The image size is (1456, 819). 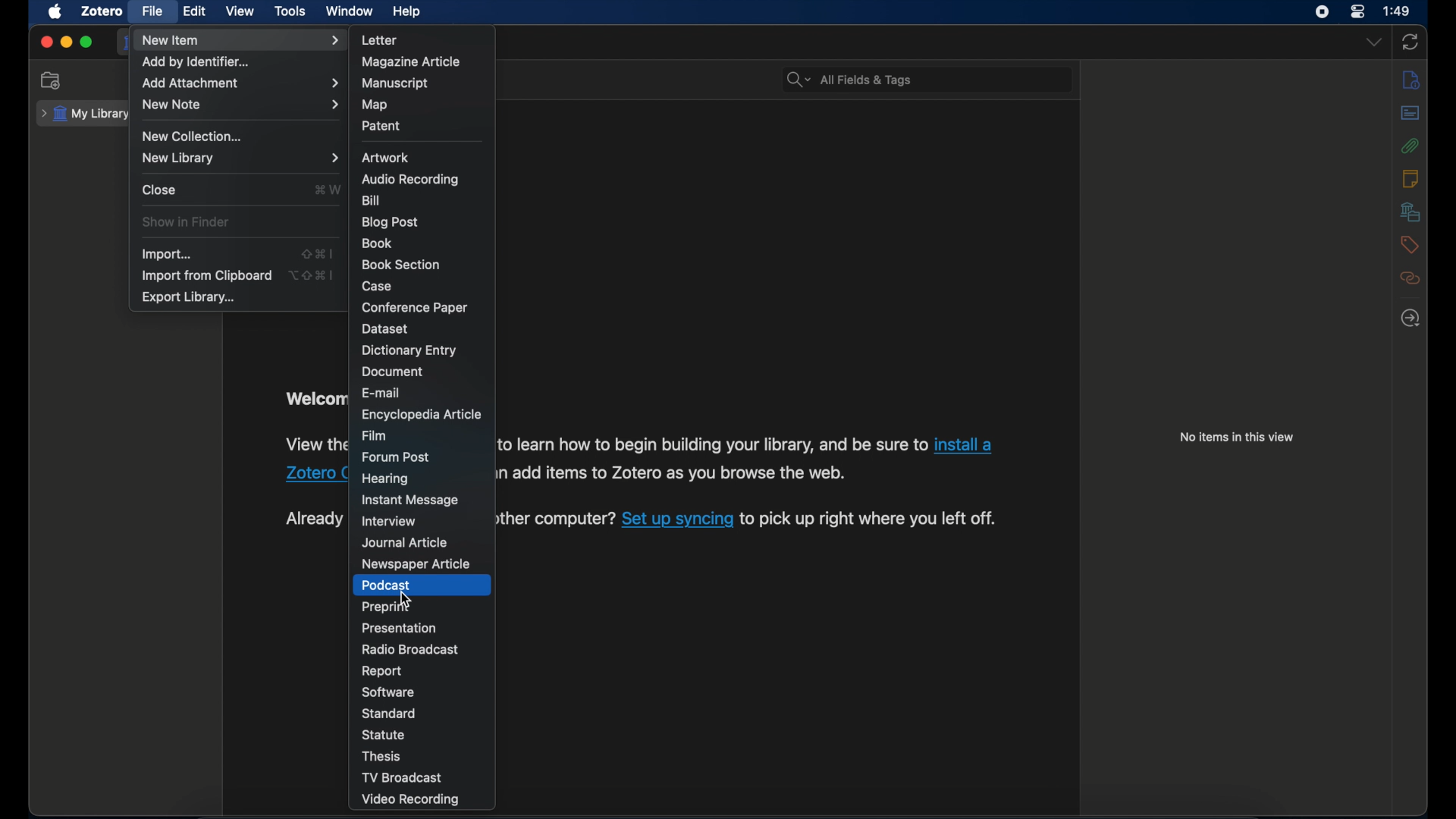 What do you see at coordinates (1410, 212) in the screenshot?
I see `libraries` at bounding box center [1410, 212].